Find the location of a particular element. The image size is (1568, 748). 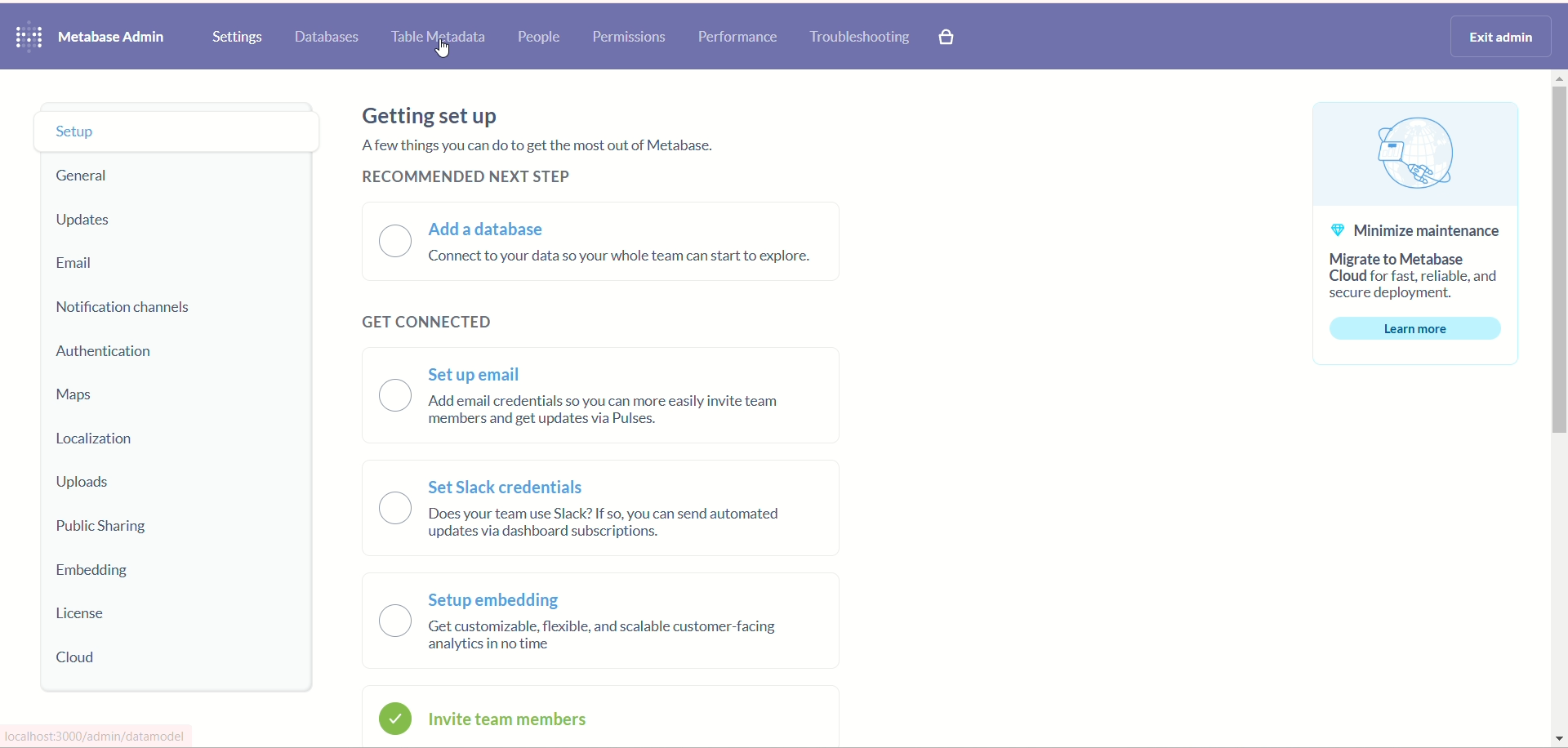

recommended next step is located at coordinates (467, 181).